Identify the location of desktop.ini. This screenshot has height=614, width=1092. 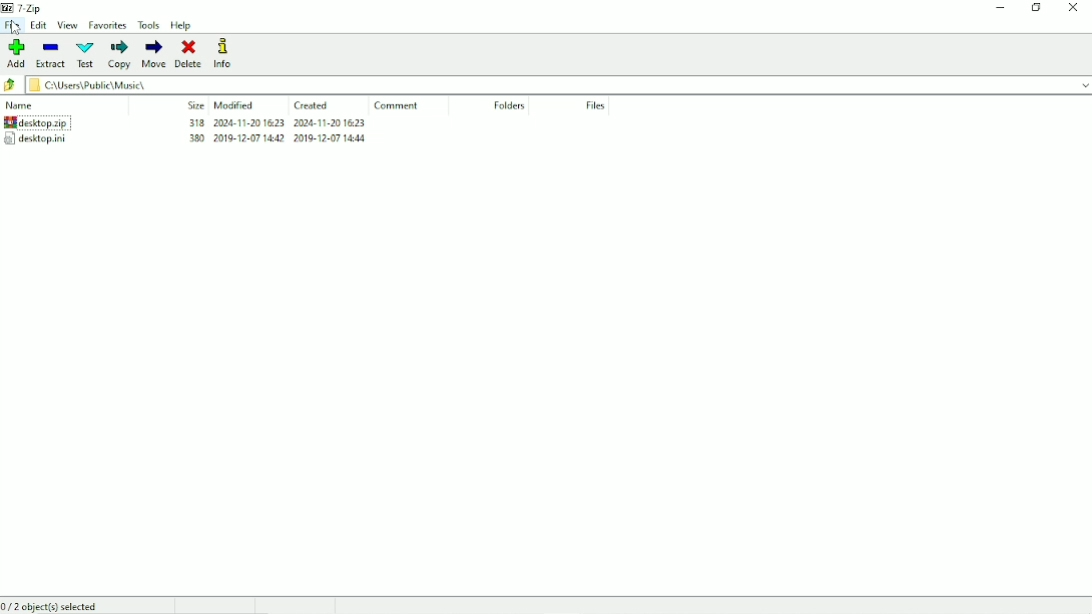
(35, 138).